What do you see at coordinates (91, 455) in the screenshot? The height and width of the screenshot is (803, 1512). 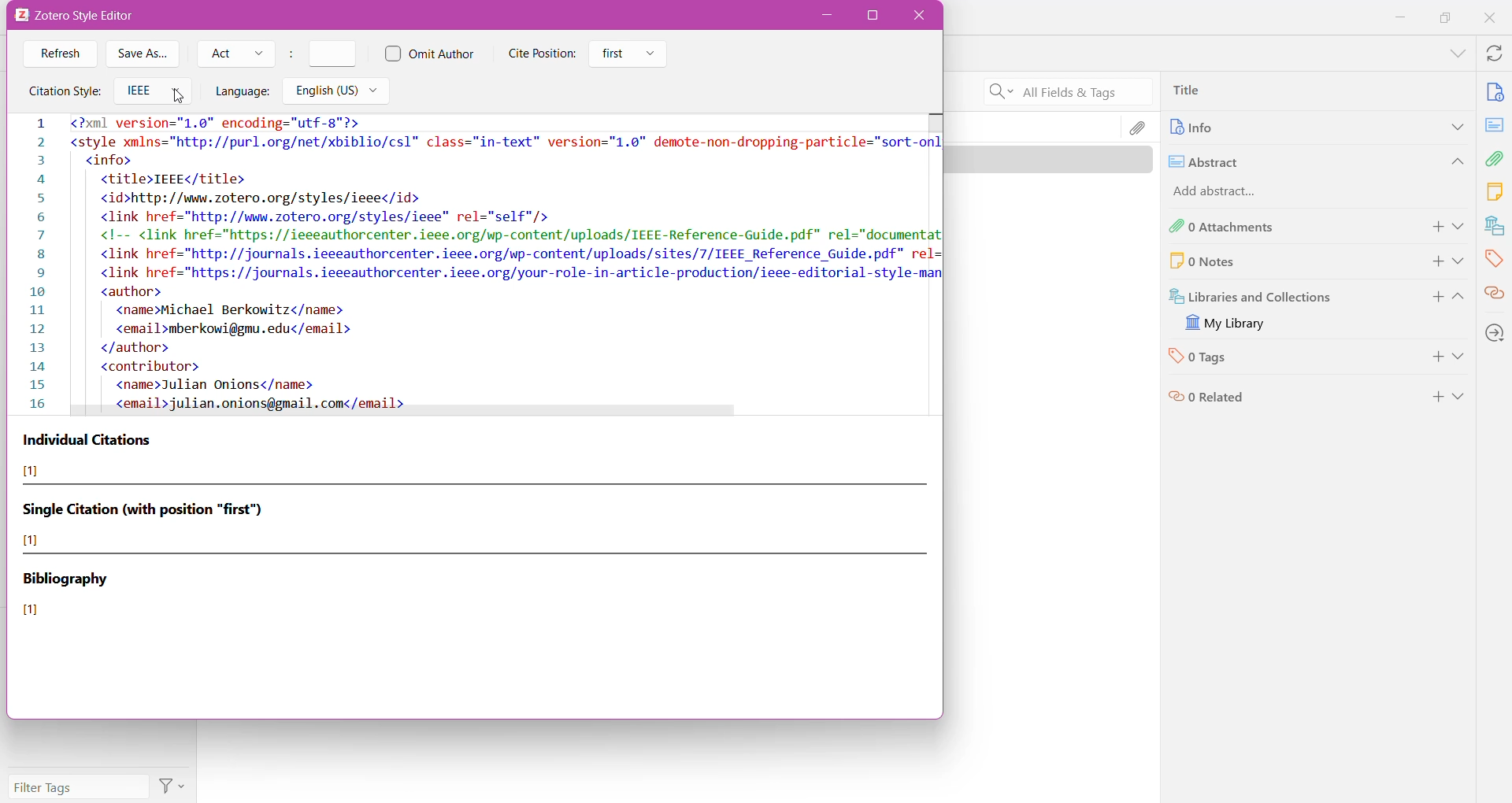 I see `Individual Citations details` at bounding box center [91, 455].